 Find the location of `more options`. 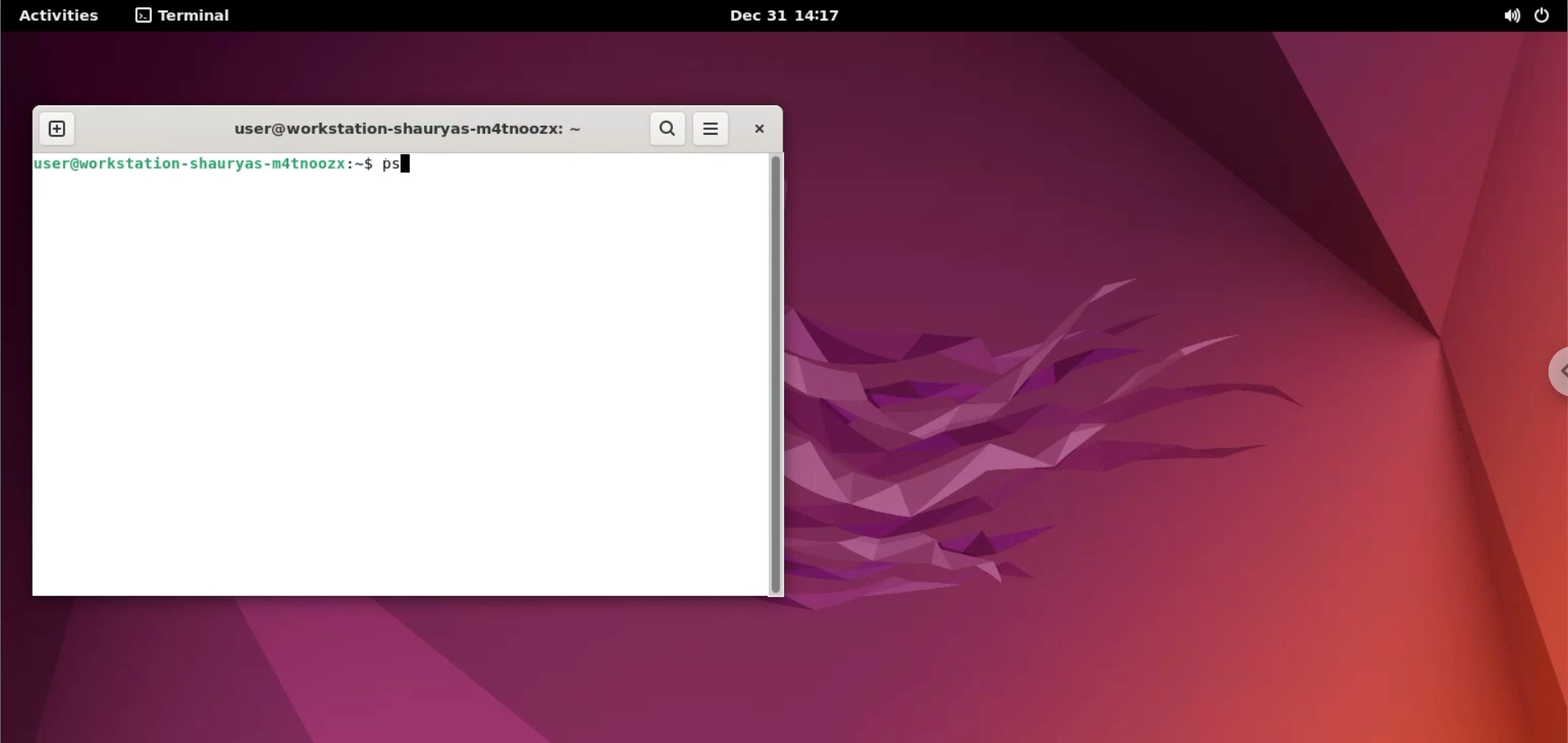

more options is located at coordinates (711, 130).